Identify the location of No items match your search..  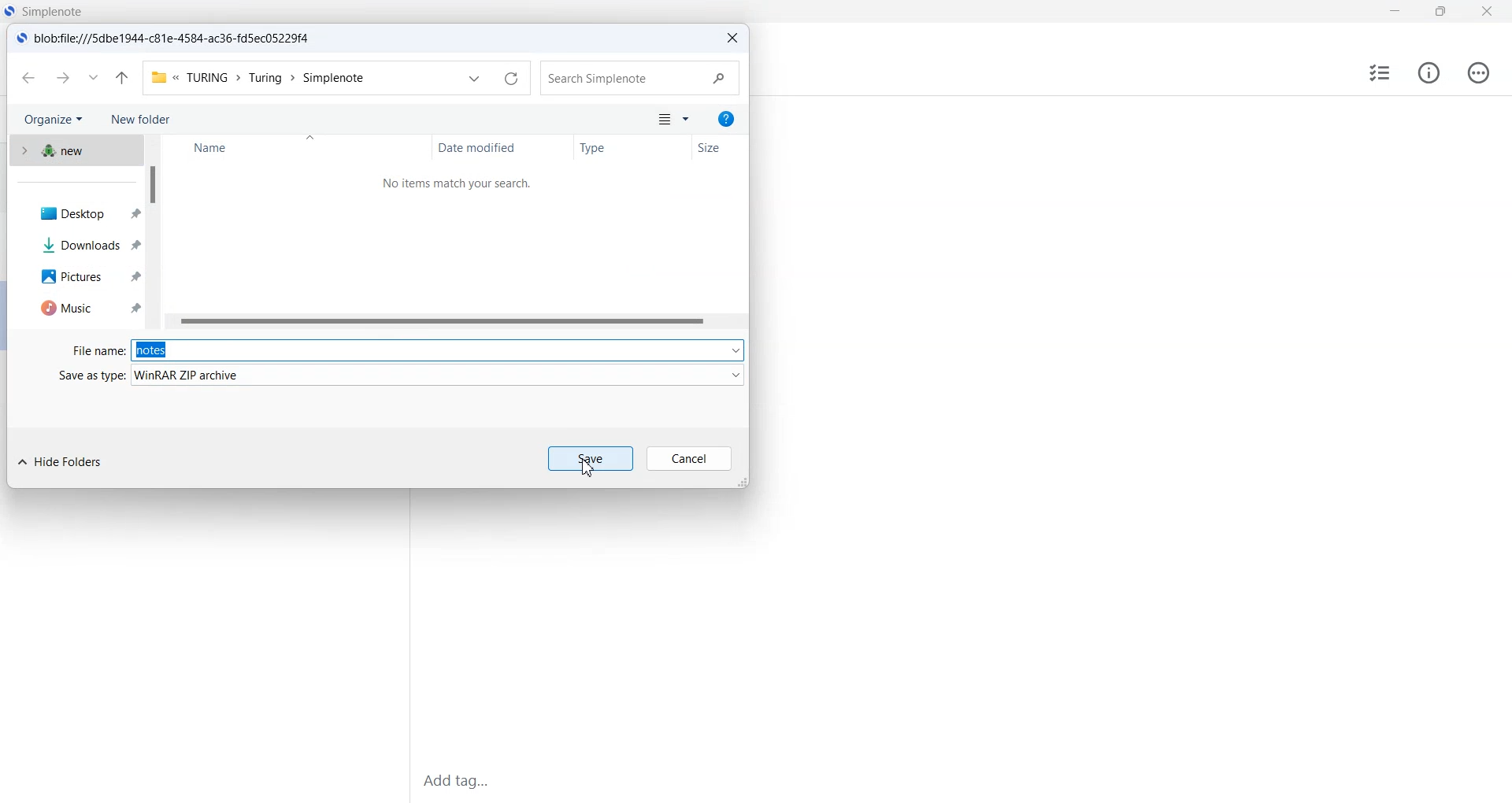
(461, 184).